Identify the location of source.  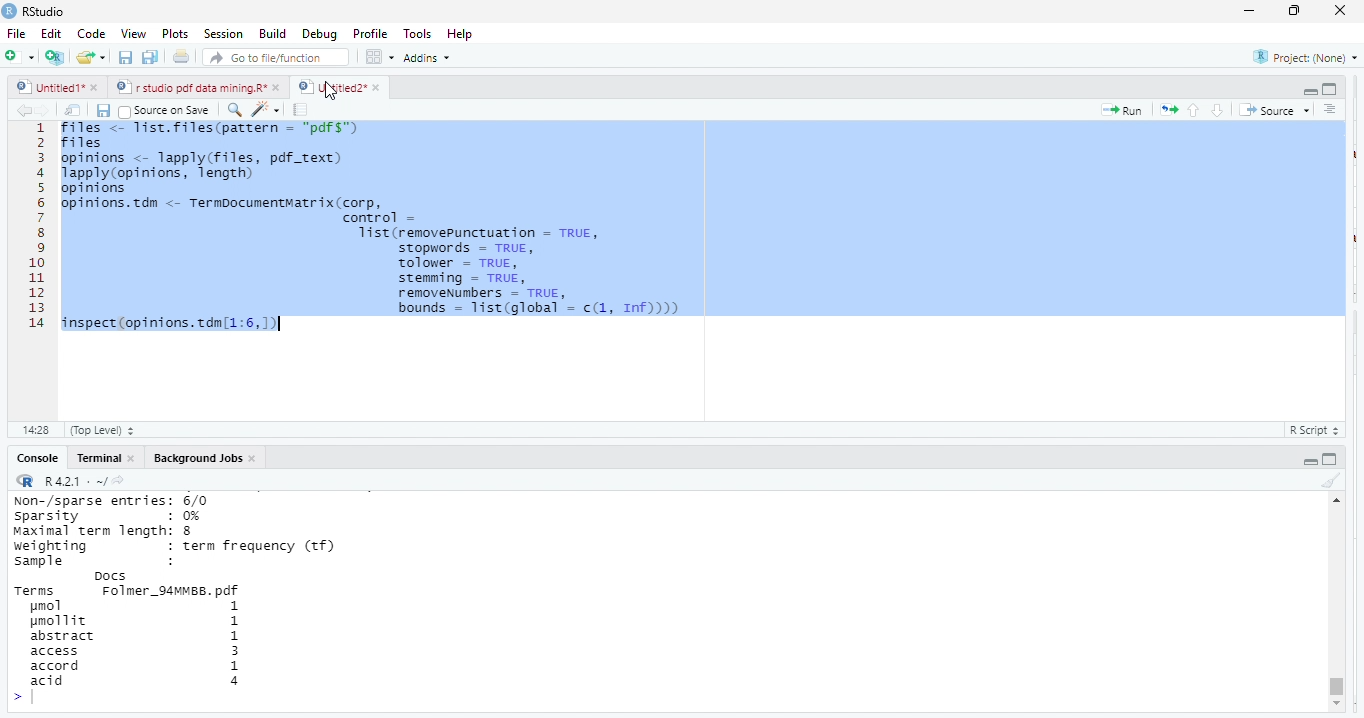
(1272, 110).